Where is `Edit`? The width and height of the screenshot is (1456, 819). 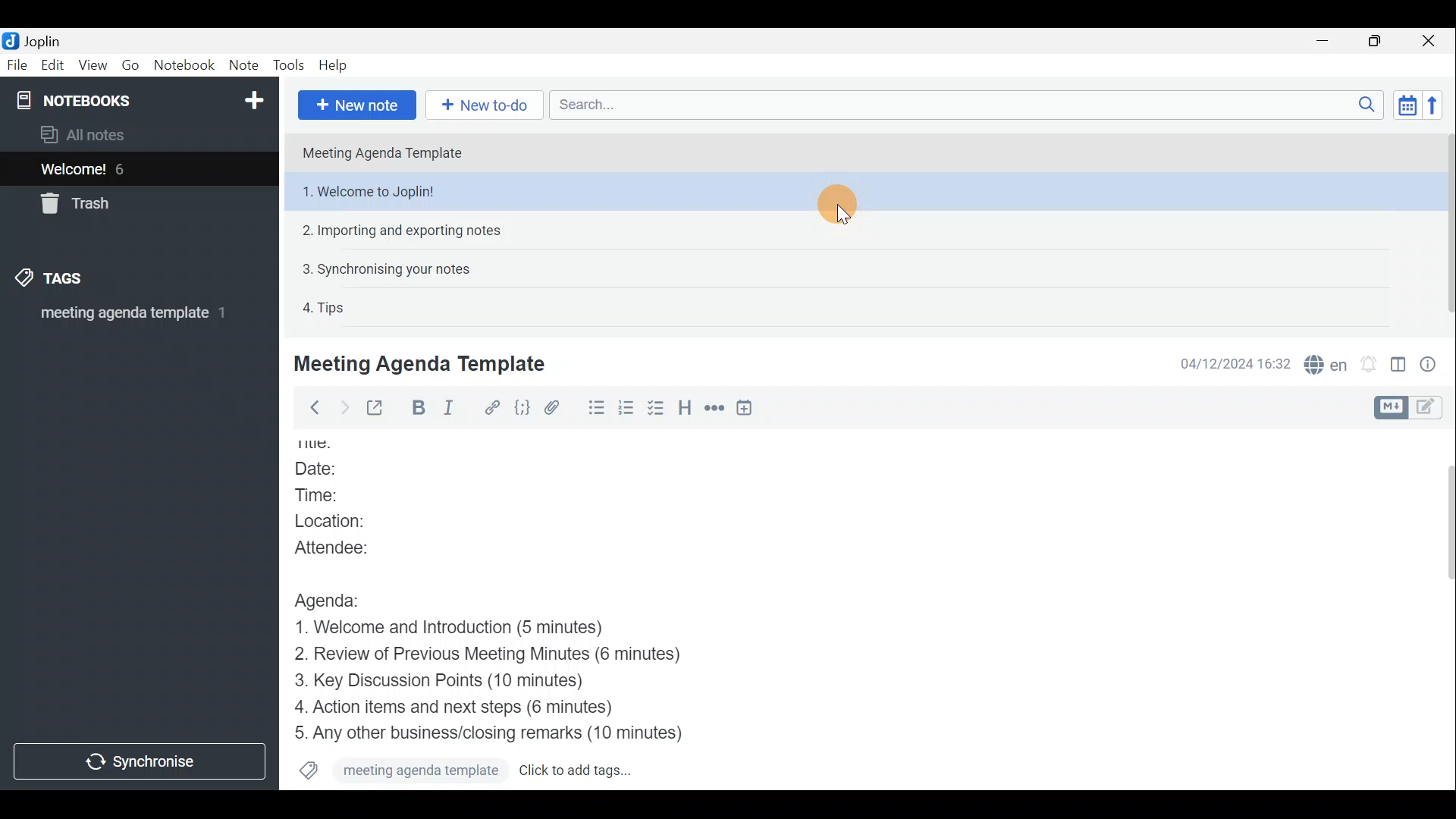 Edit is located at coordinates (53, 67).